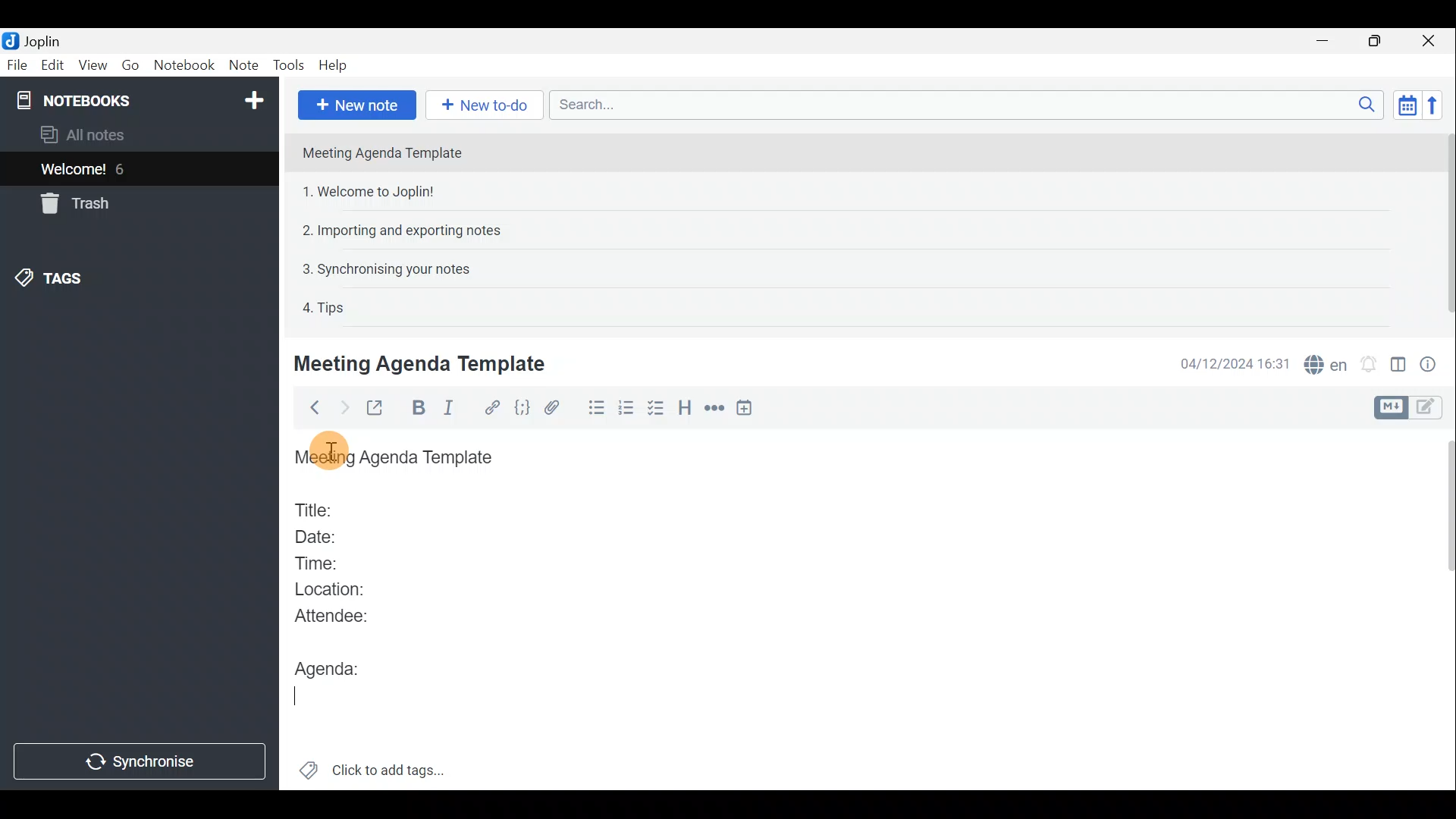 This screenshot has height=819, width=1456. What do you see at coordinates (393, 767) in the screenshot?
I see `Click to add tags` at bounding box center [393, 767].